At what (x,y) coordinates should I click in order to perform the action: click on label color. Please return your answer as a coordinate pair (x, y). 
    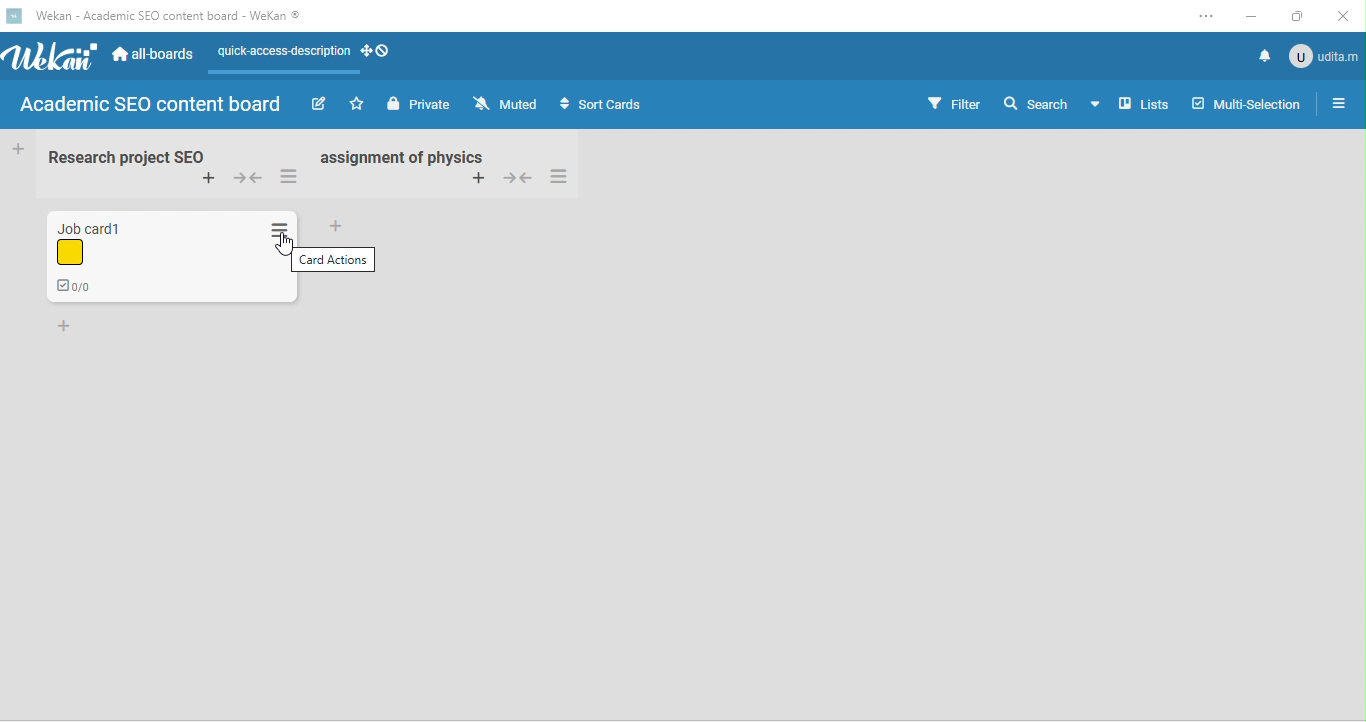
    Looking at the image, I should click on (77, 252).